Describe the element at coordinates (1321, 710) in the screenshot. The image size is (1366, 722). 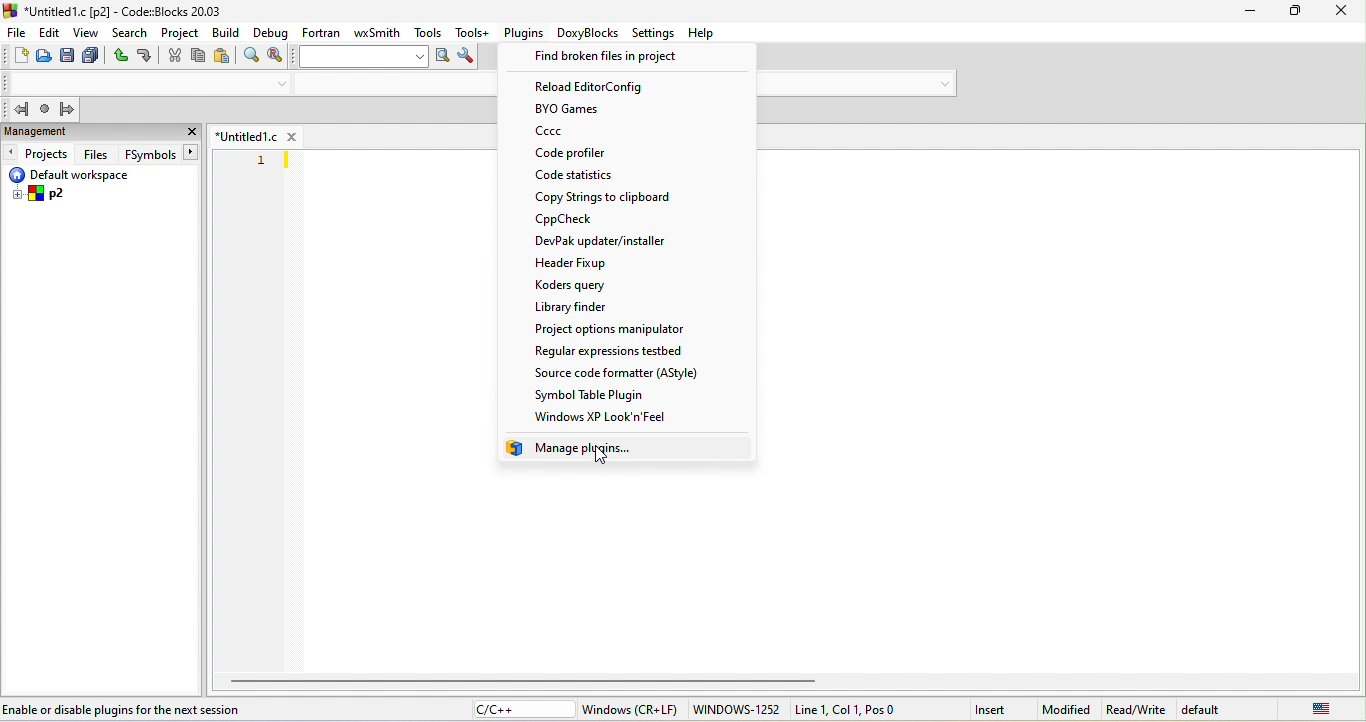
I see `united state` at that location.